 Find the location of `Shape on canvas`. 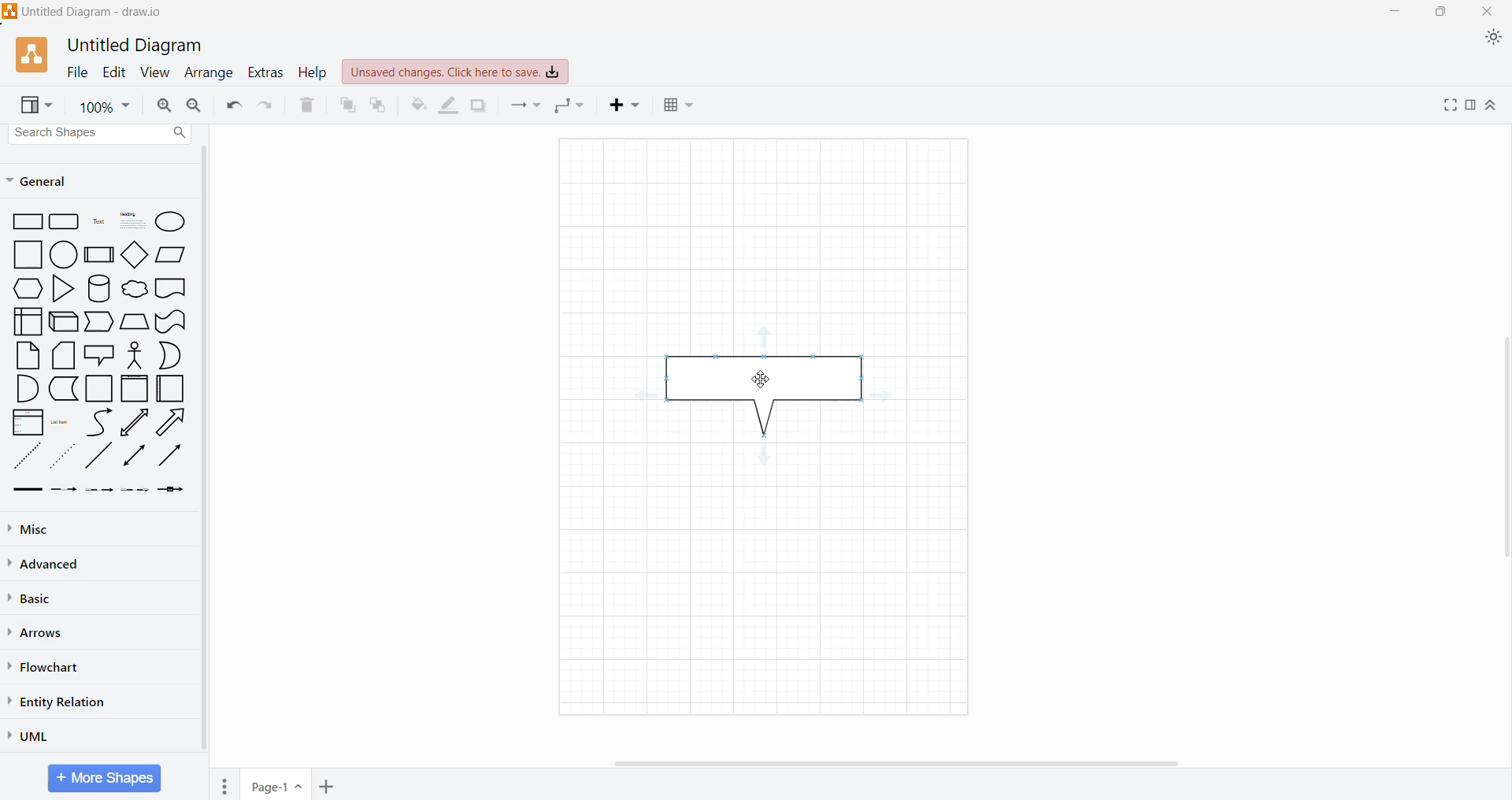

Shape on canvas is located at coordinates (771, 397).